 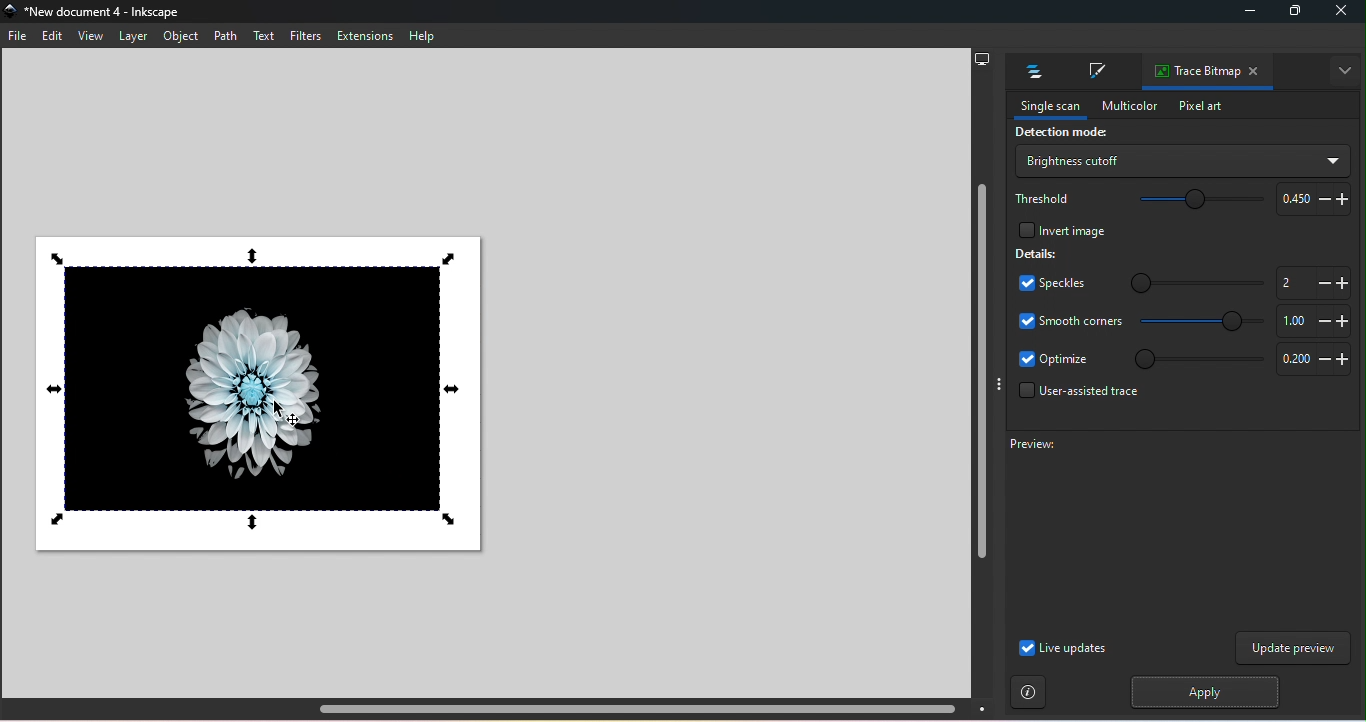 I want to click on Toggle display options, so click(x=1346, y=71).